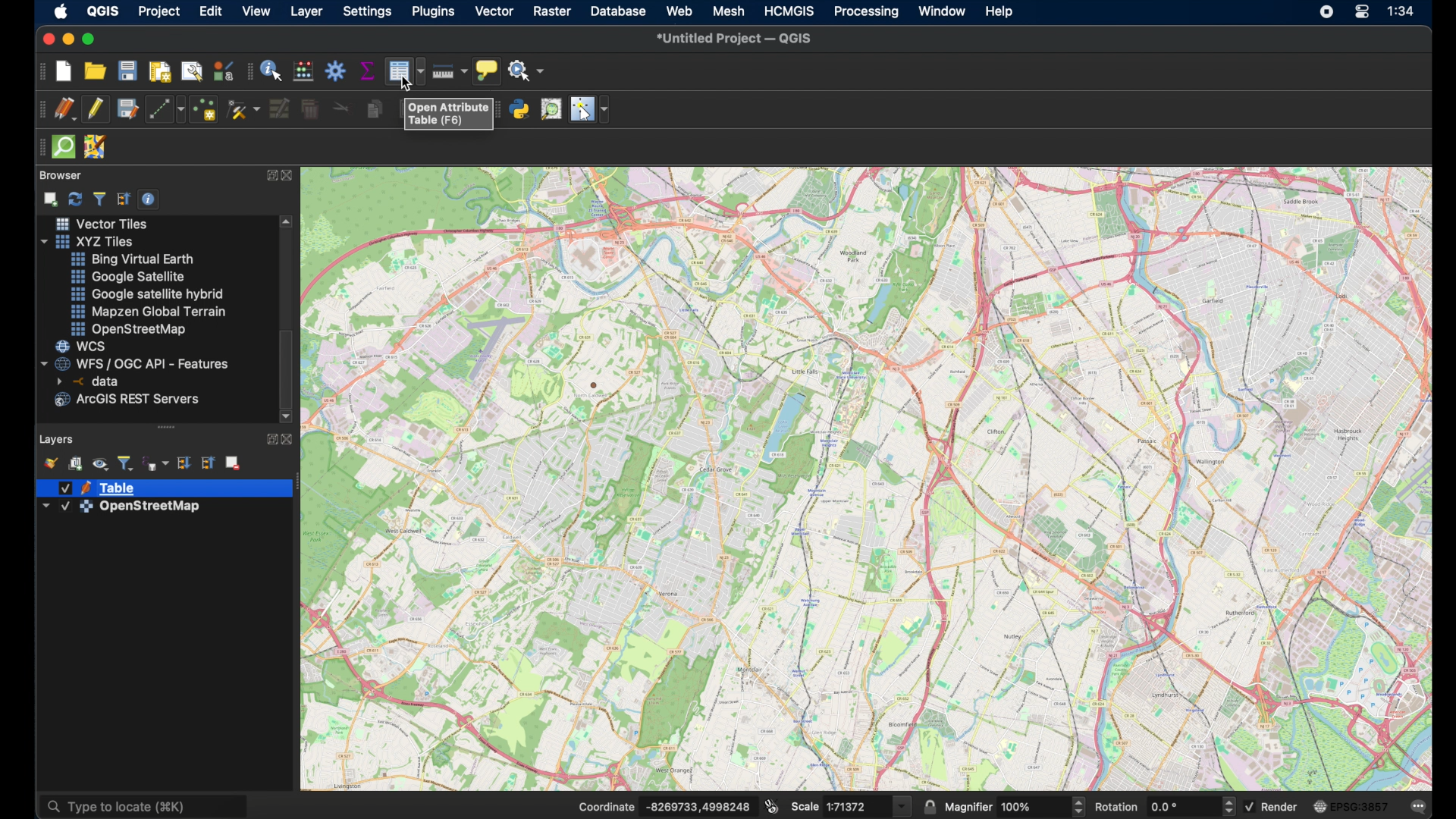 The image size is (1456, 819). What do you see at coordinates (126, 108) in the screenshot?
I see `save edits ` at bounding box center [126, 108].